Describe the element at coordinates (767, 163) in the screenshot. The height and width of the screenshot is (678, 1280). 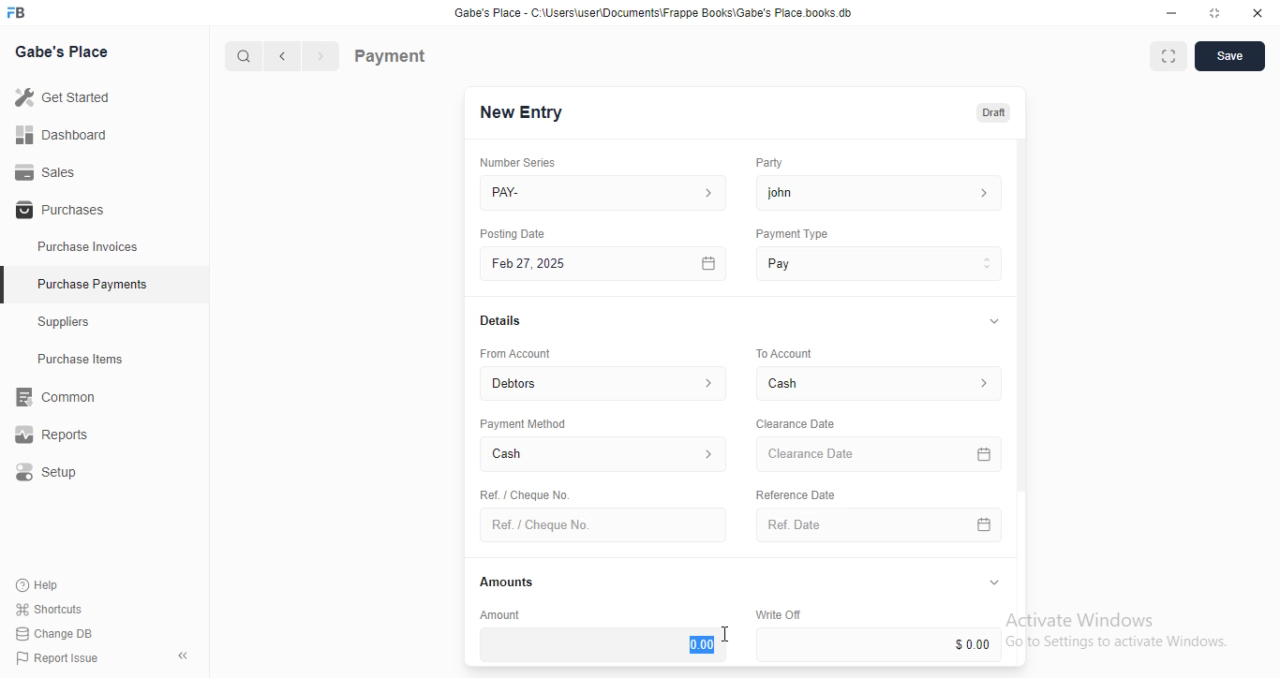
I see `Party` at that location.